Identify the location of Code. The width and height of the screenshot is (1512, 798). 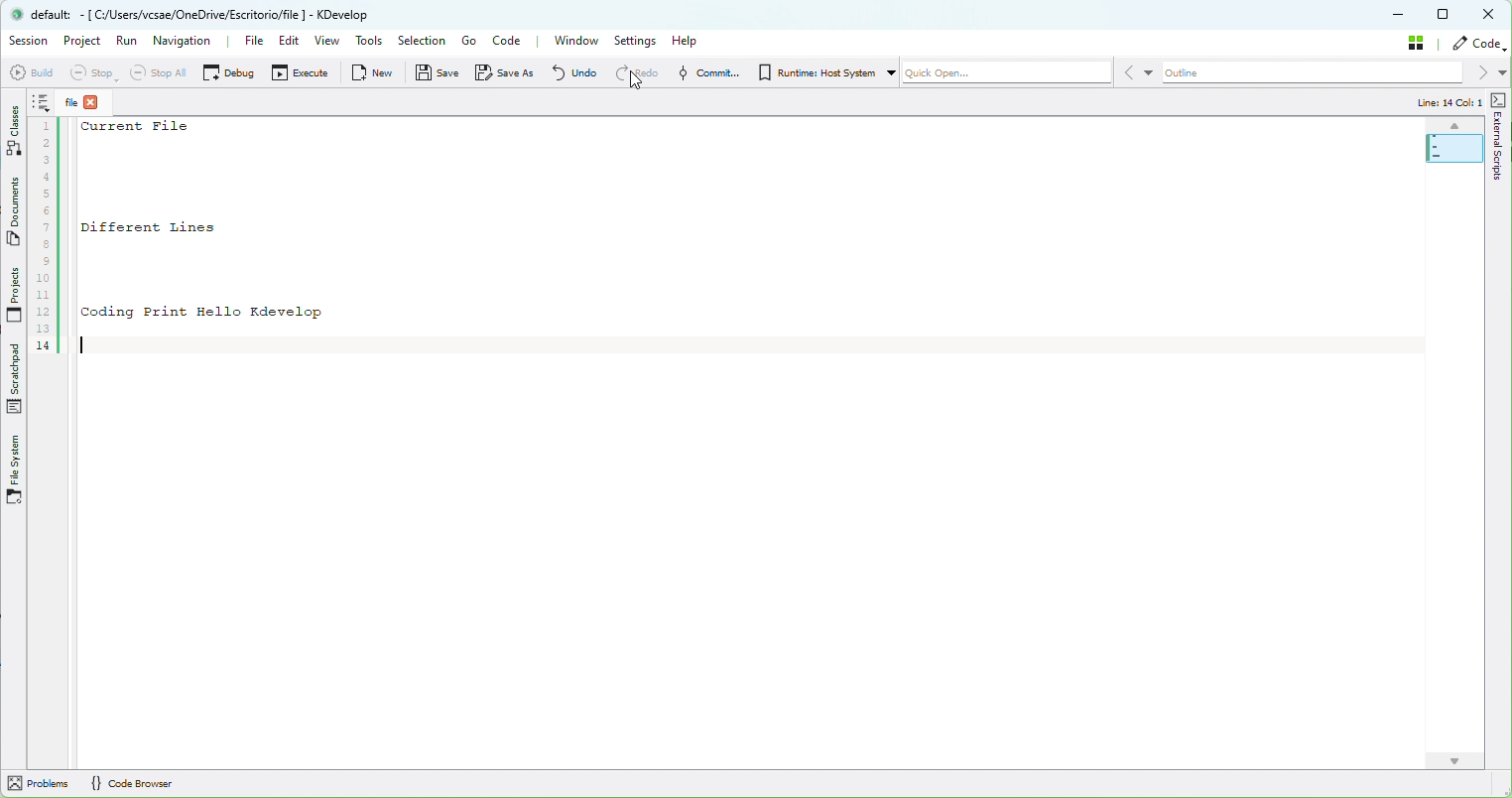
(511, 40).